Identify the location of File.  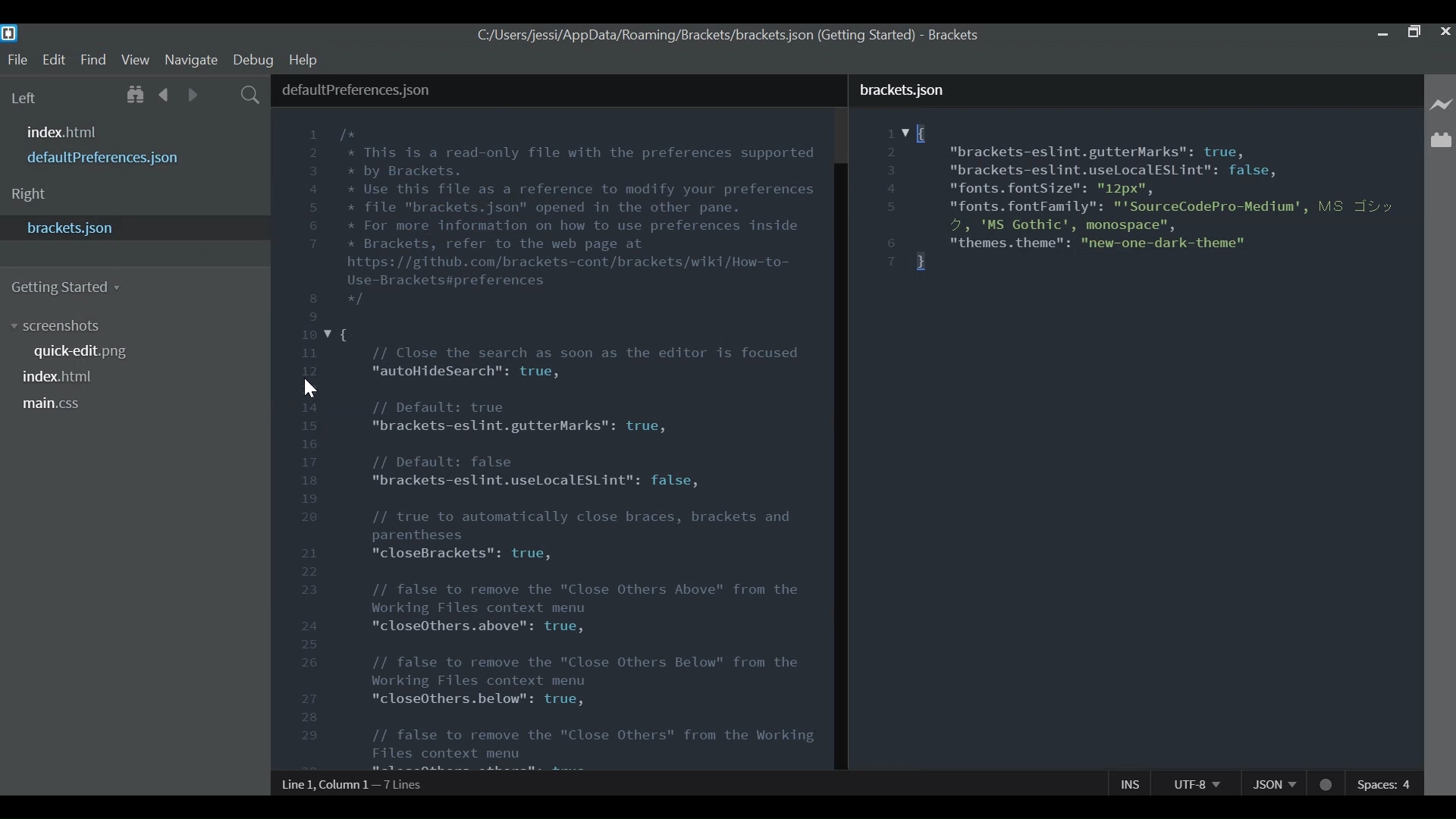
(17, 60).